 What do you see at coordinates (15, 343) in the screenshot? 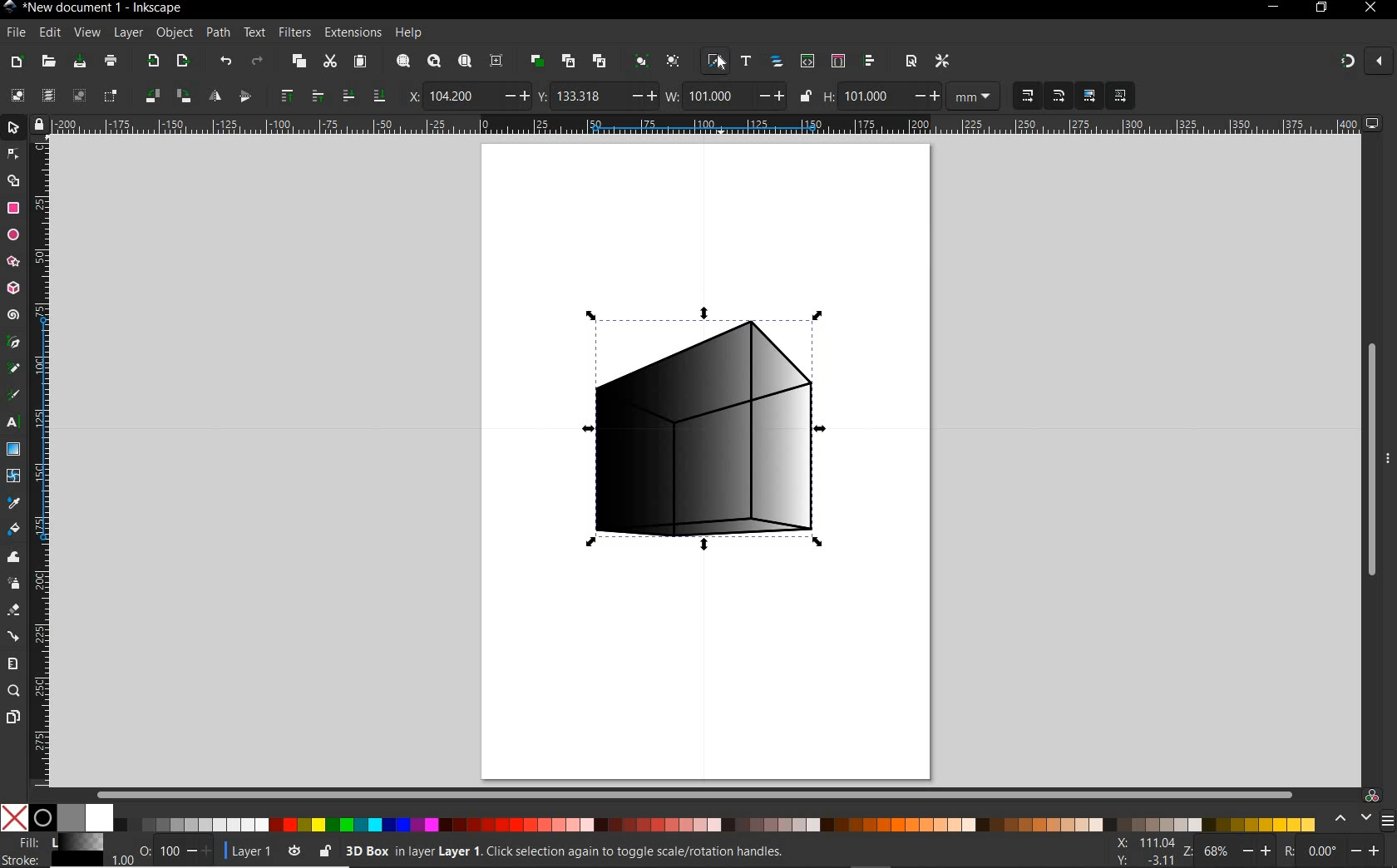
I see `PEN TOOL` at bounding box center [15, 343].